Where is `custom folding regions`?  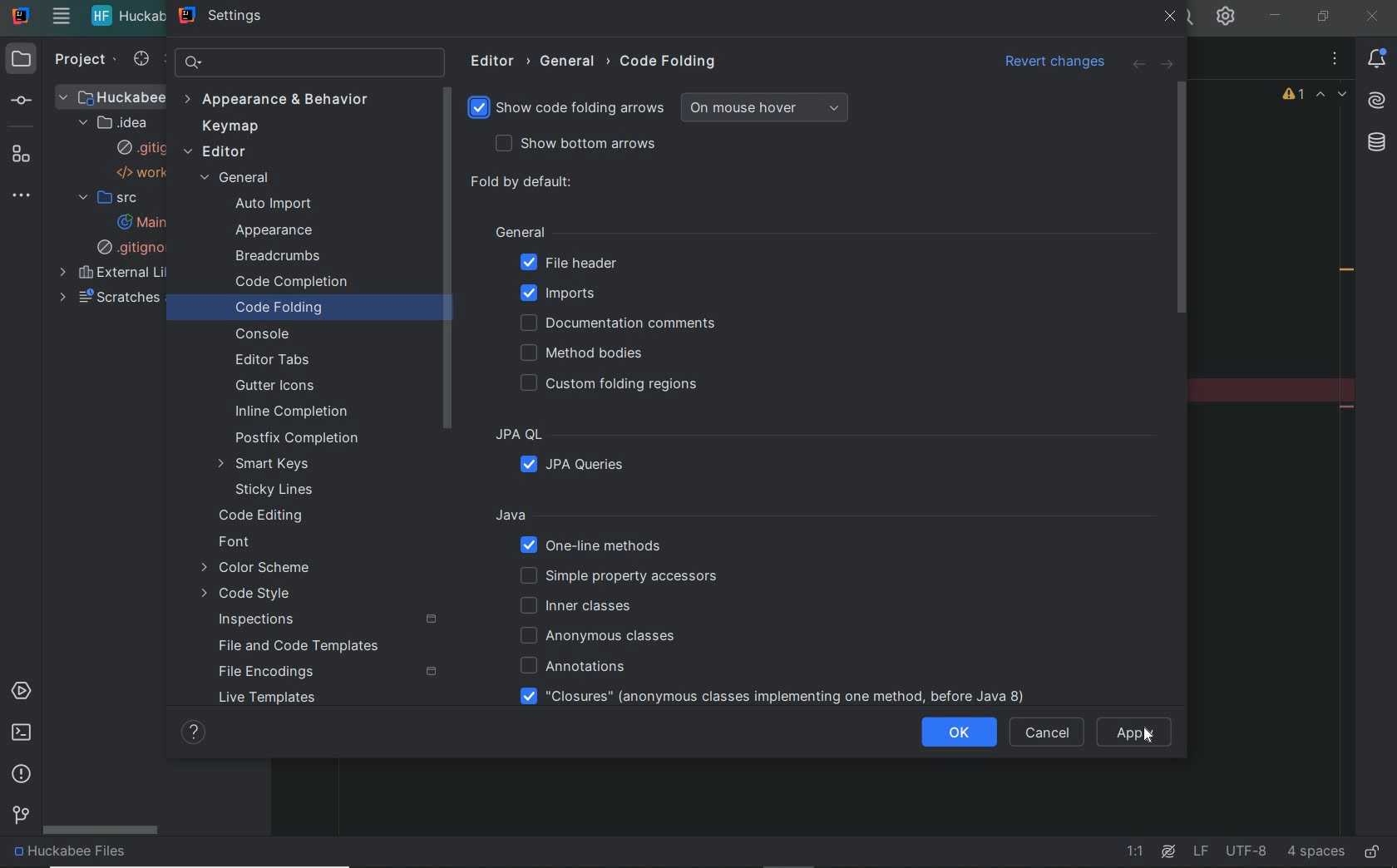
custom folding regions is located at coordinates (617, 386).